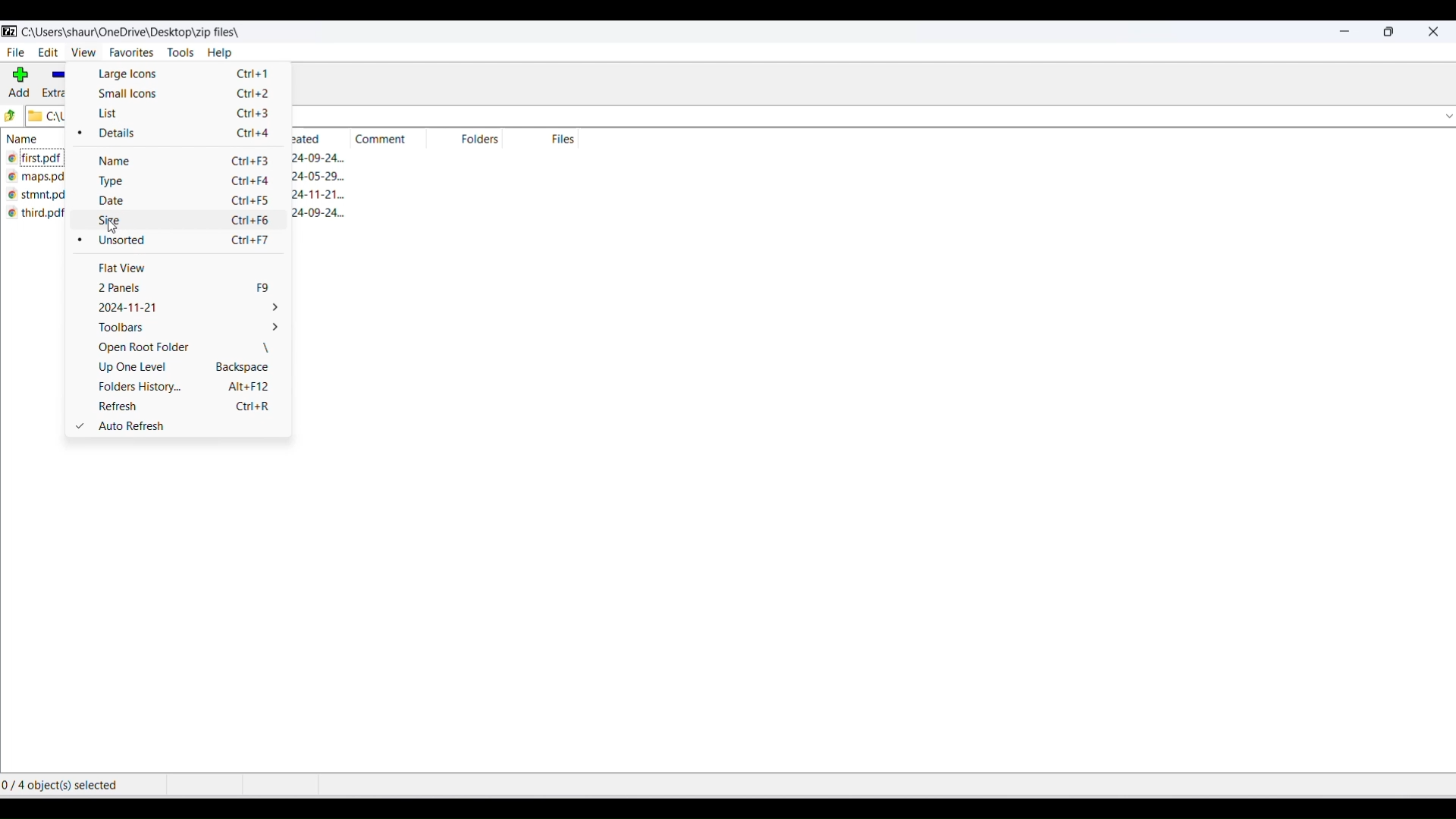  What do you see at coordinates (185, 204) in the screenshot?
I see `date` at bounding box center [185, 204].